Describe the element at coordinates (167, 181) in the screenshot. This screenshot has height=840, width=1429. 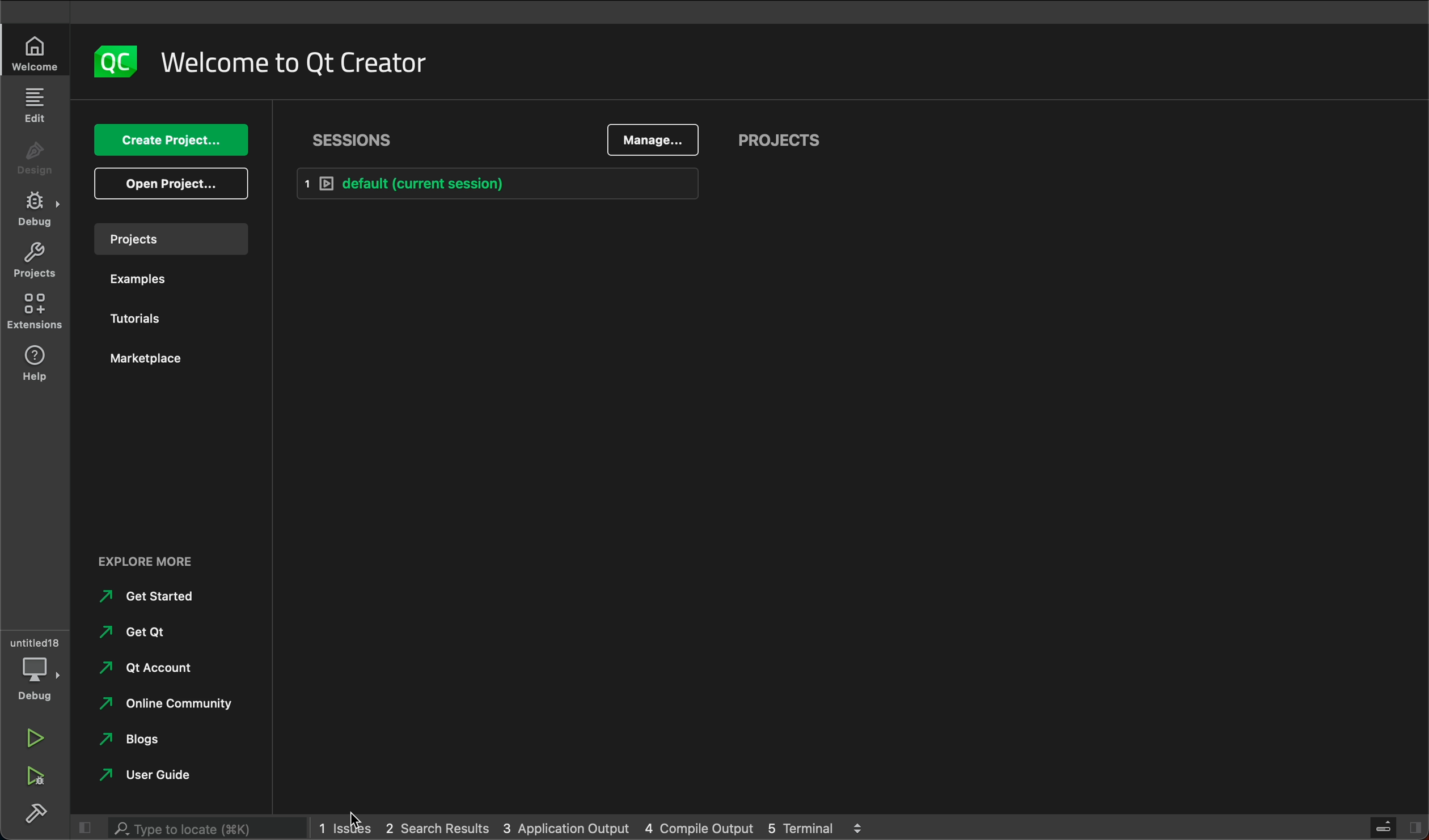
I see `open ` at that location.